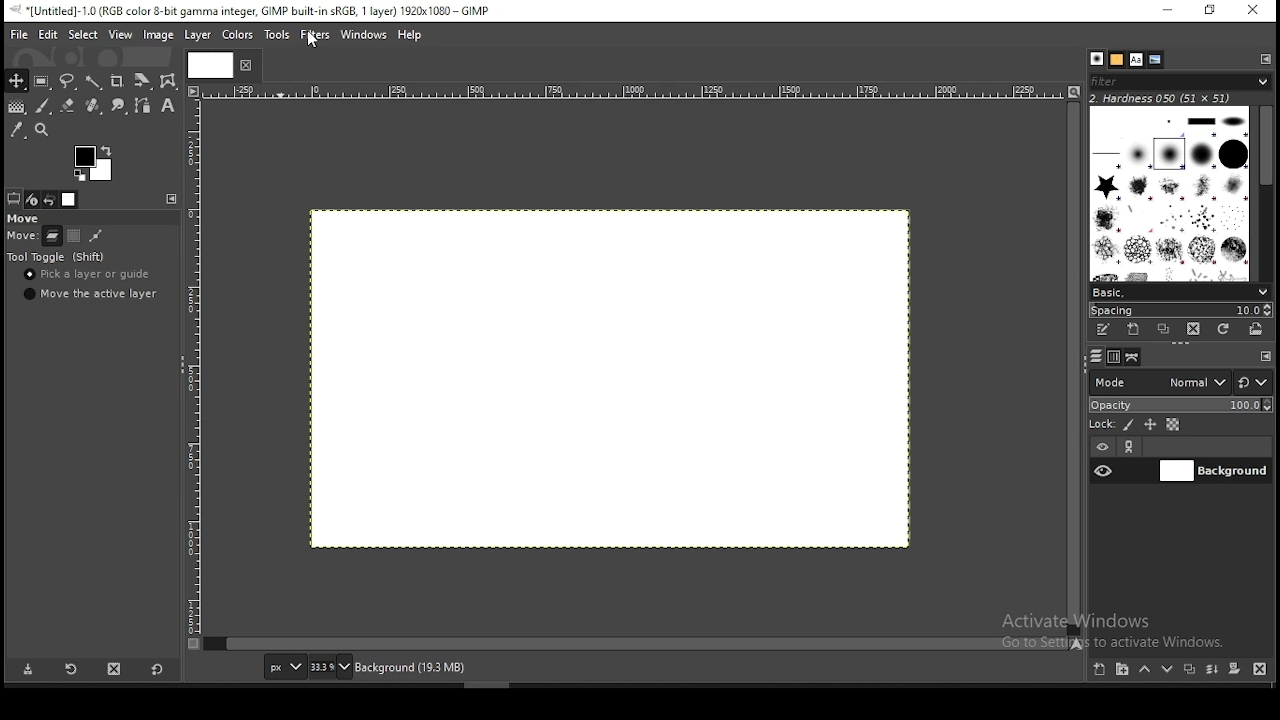 Image resolution: width=1280 pixels, height=720 pixels. What do you see at coordinates (27, 670) in the screenshot?
I see `save tool preset` at bounding box center [27, 670].